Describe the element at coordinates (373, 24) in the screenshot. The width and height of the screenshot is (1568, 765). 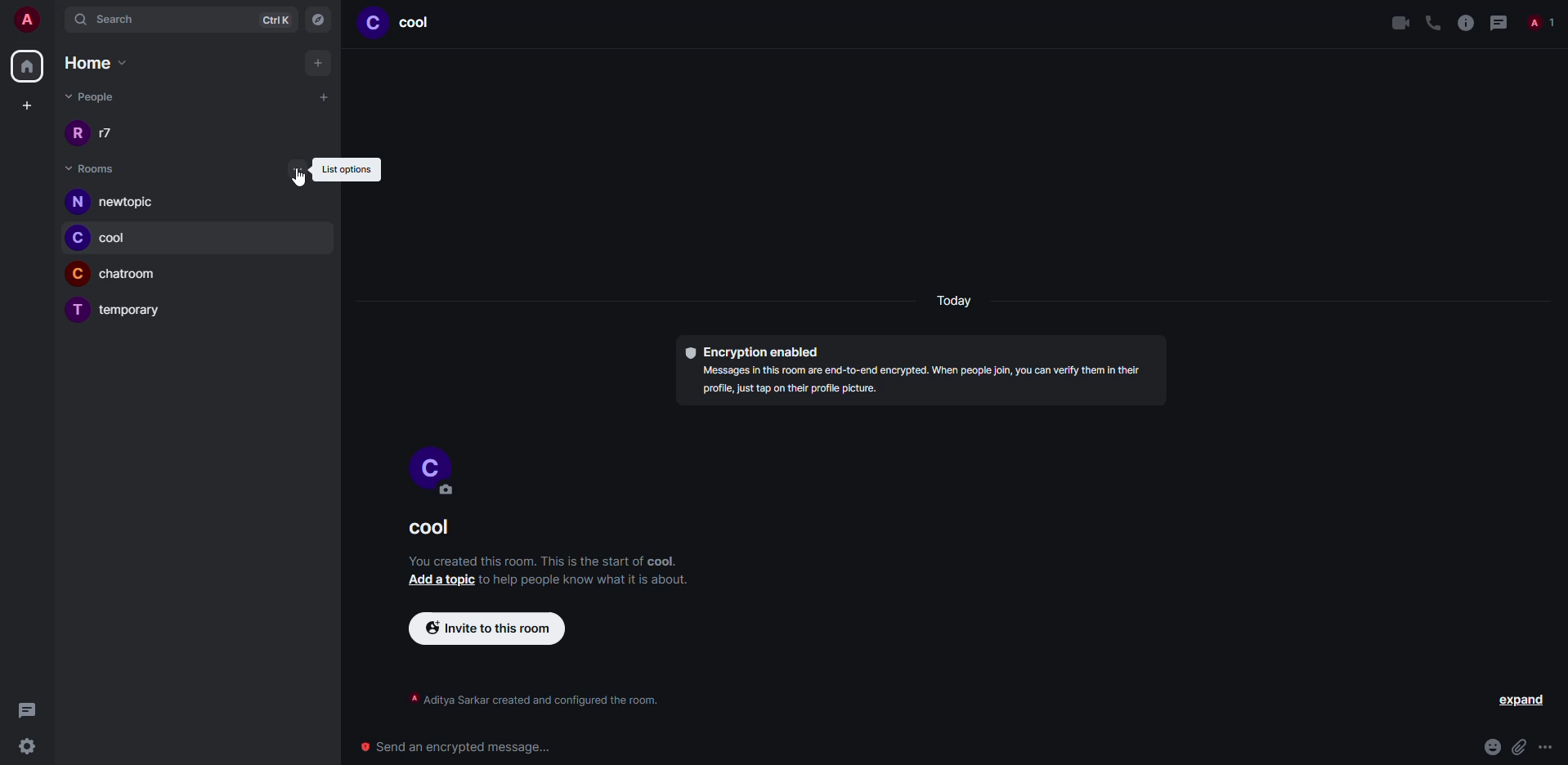
I see `profile` at that location.